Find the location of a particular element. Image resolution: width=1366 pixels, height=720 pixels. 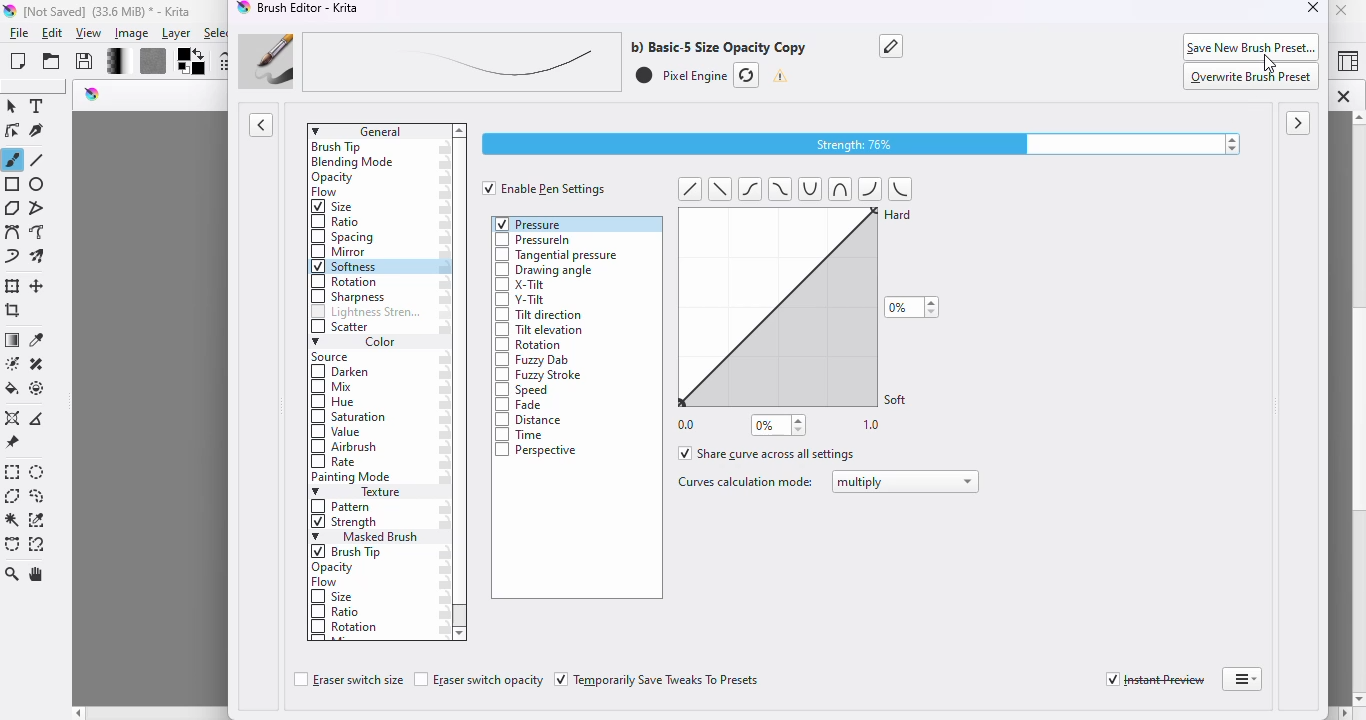

value is located at coordinates (337, 434).